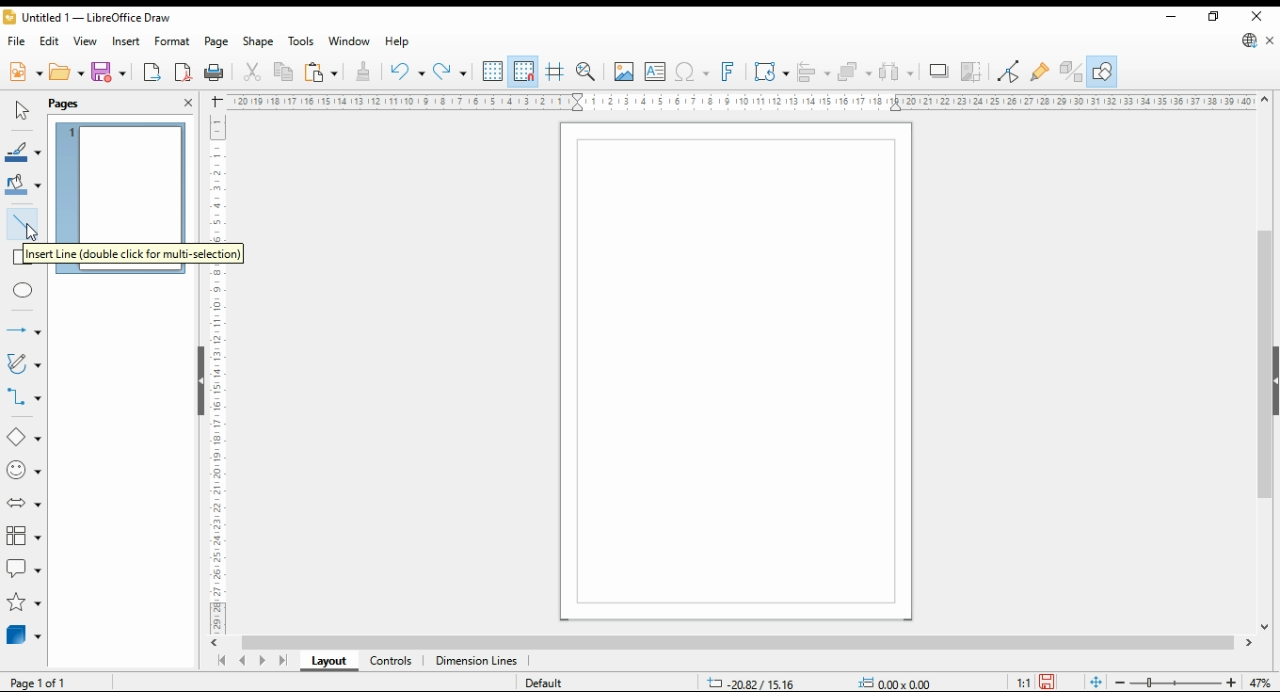 The width and height of the screenshot is (1280, 692). I want to click on save, so click(110, 72).